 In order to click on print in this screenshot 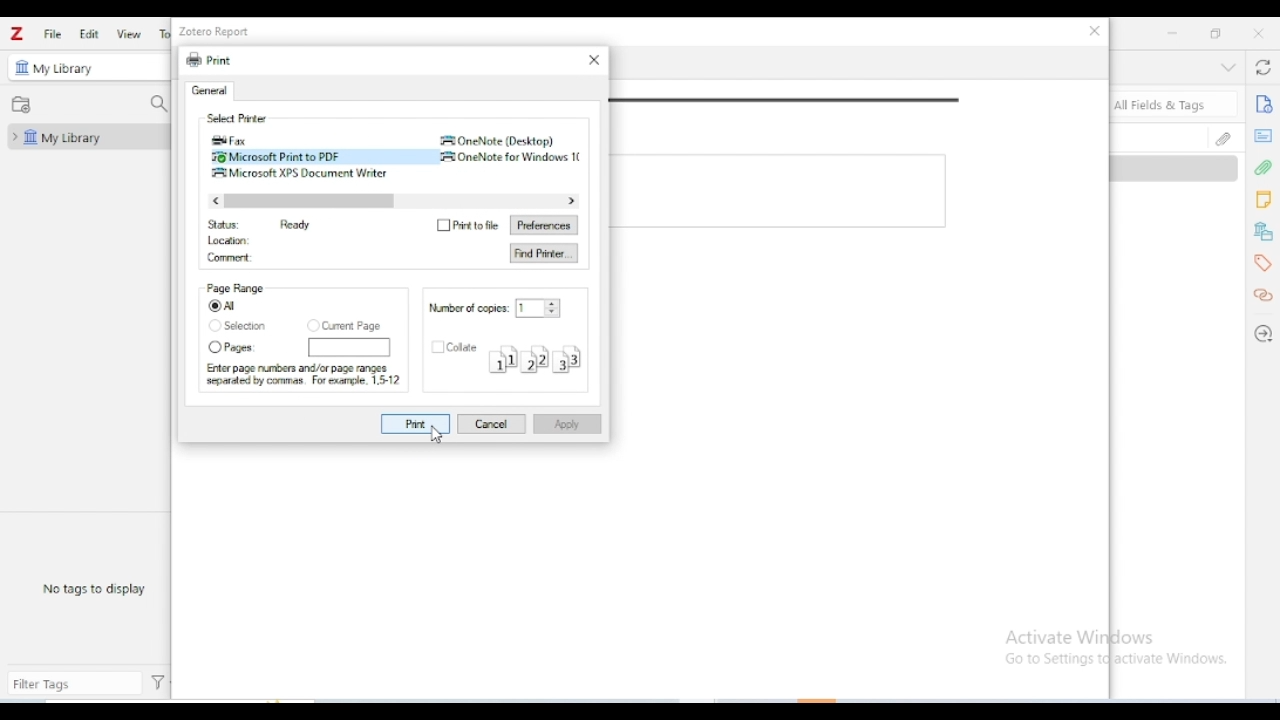, I will do `click(415, 424)`.